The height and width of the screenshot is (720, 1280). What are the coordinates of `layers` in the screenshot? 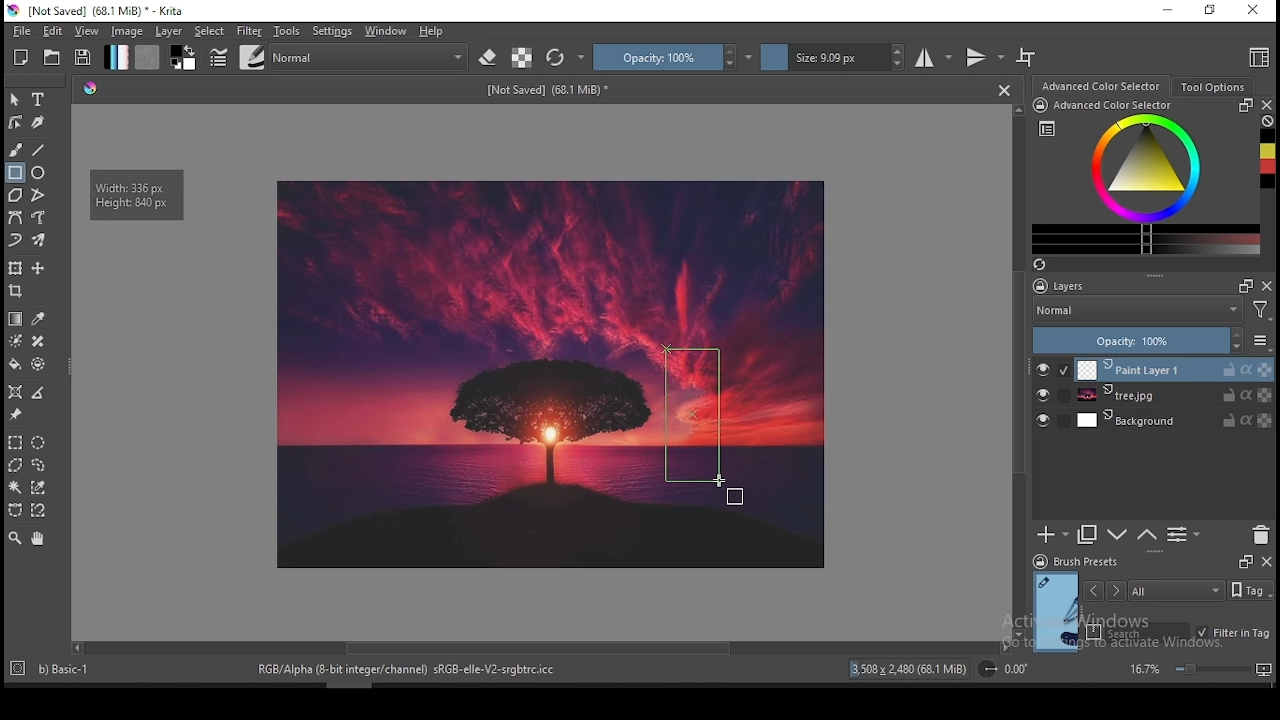 It's located at (1110, 285).